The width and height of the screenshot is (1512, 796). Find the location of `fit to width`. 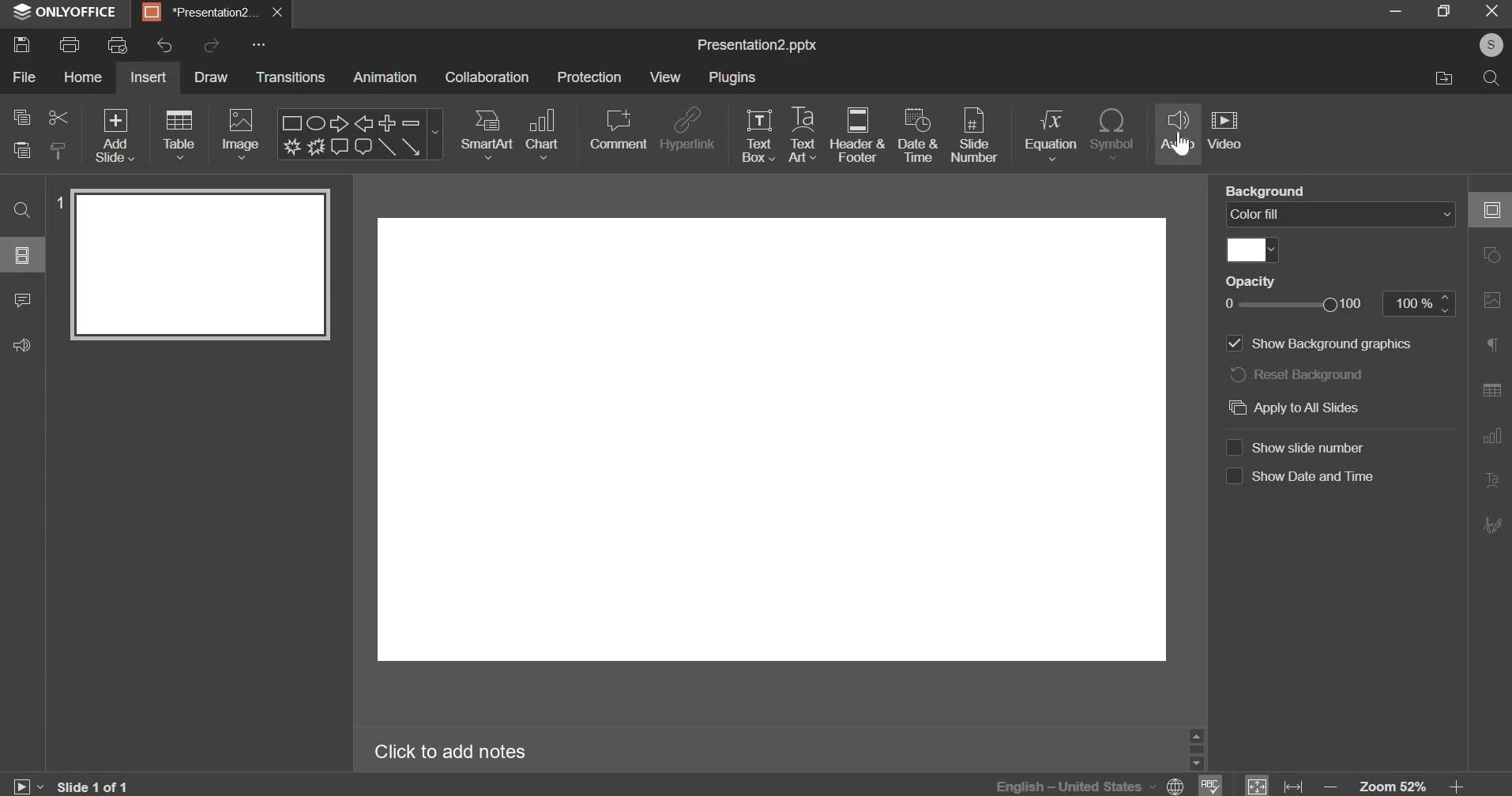

fit to width is located at coordinates (1292, 784).